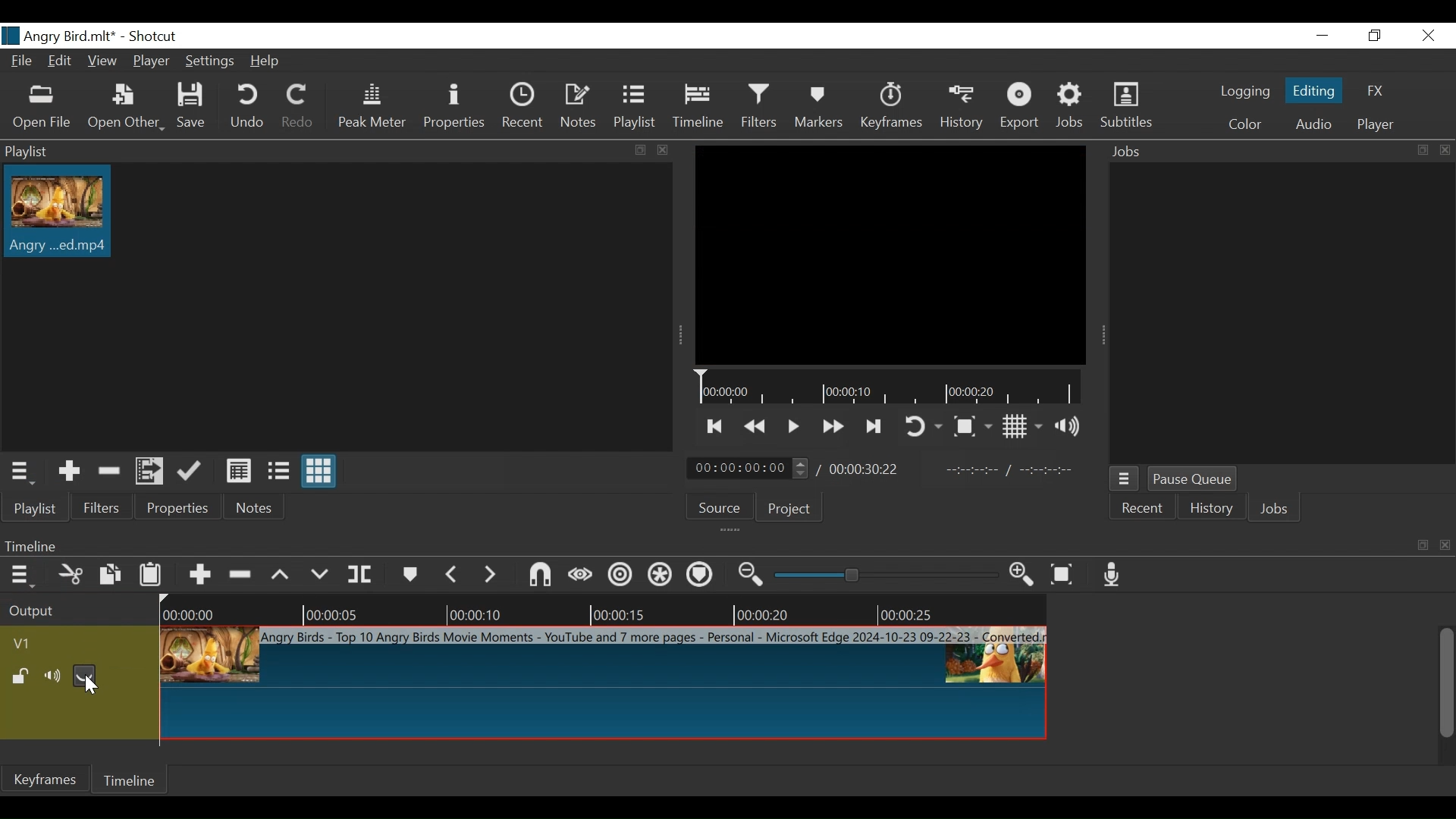  I want to click on Player, so click(151, 61).